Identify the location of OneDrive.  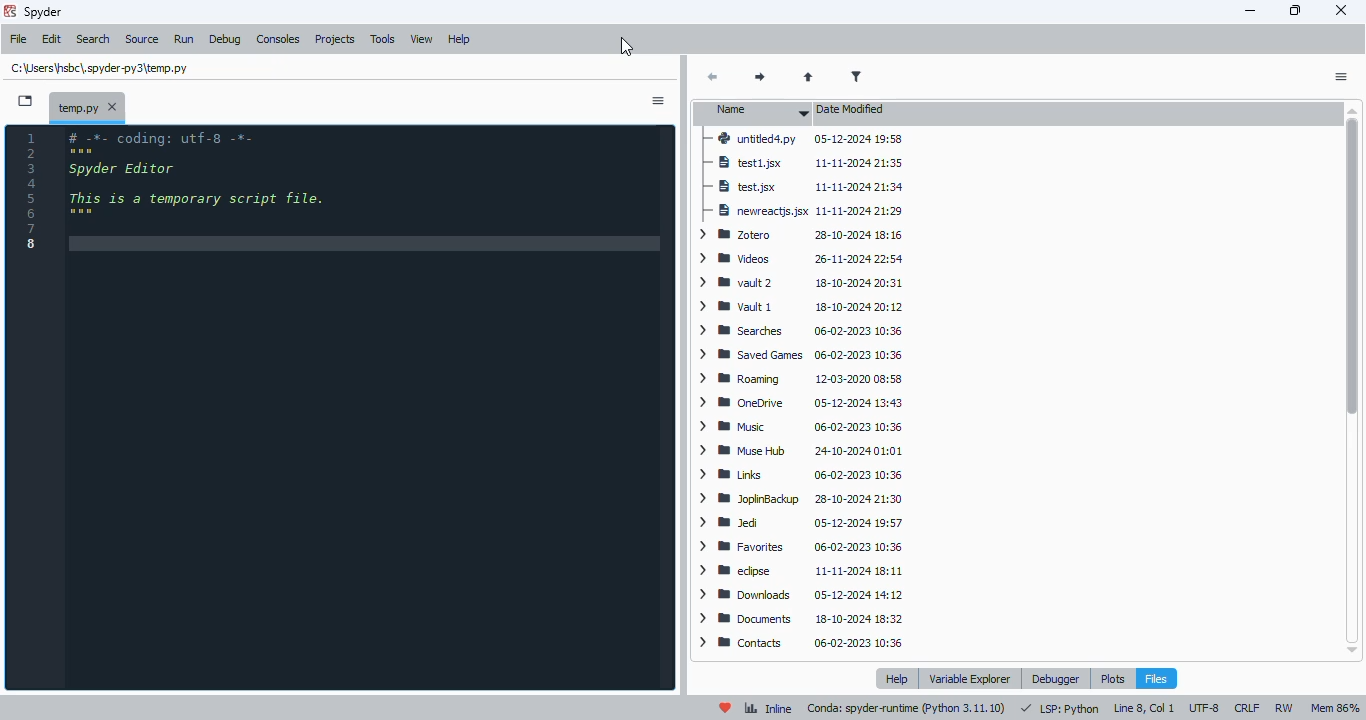
(801, 403).